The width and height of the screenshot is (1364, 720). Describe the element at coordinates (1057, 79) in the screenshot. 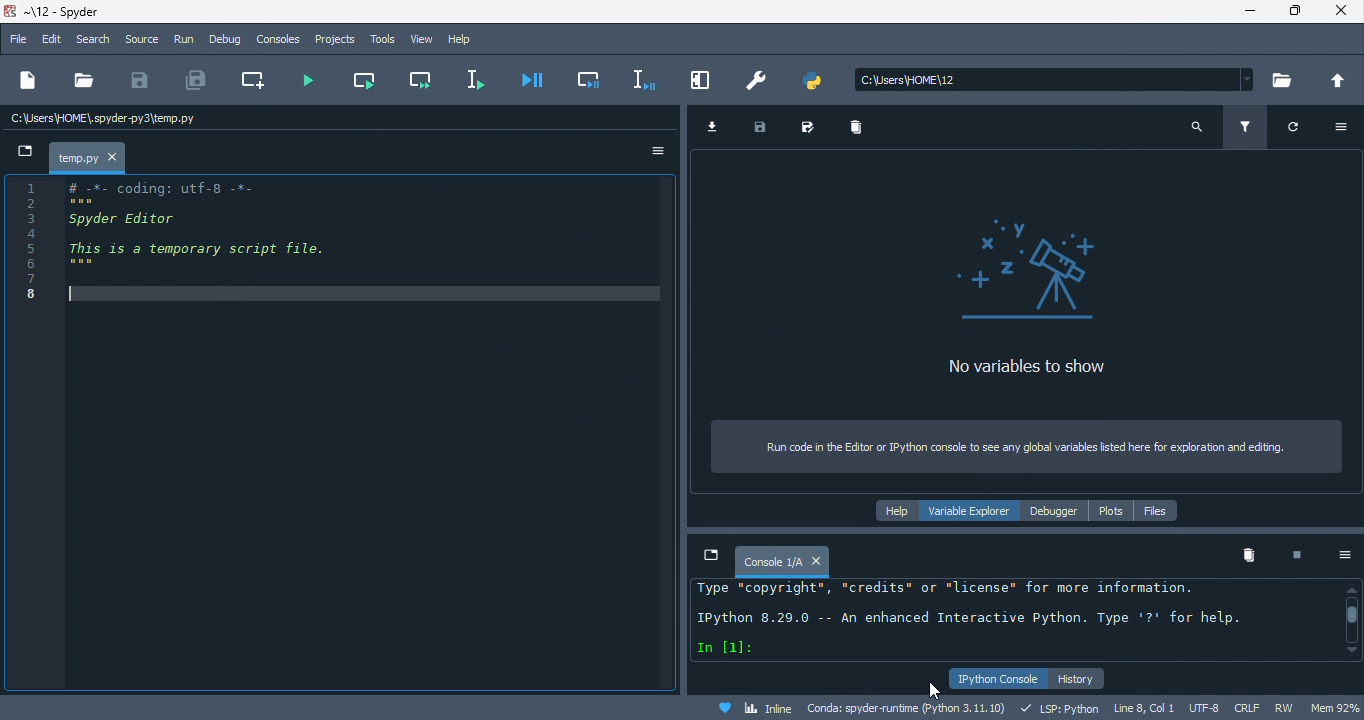

I see `search bar` at that location.